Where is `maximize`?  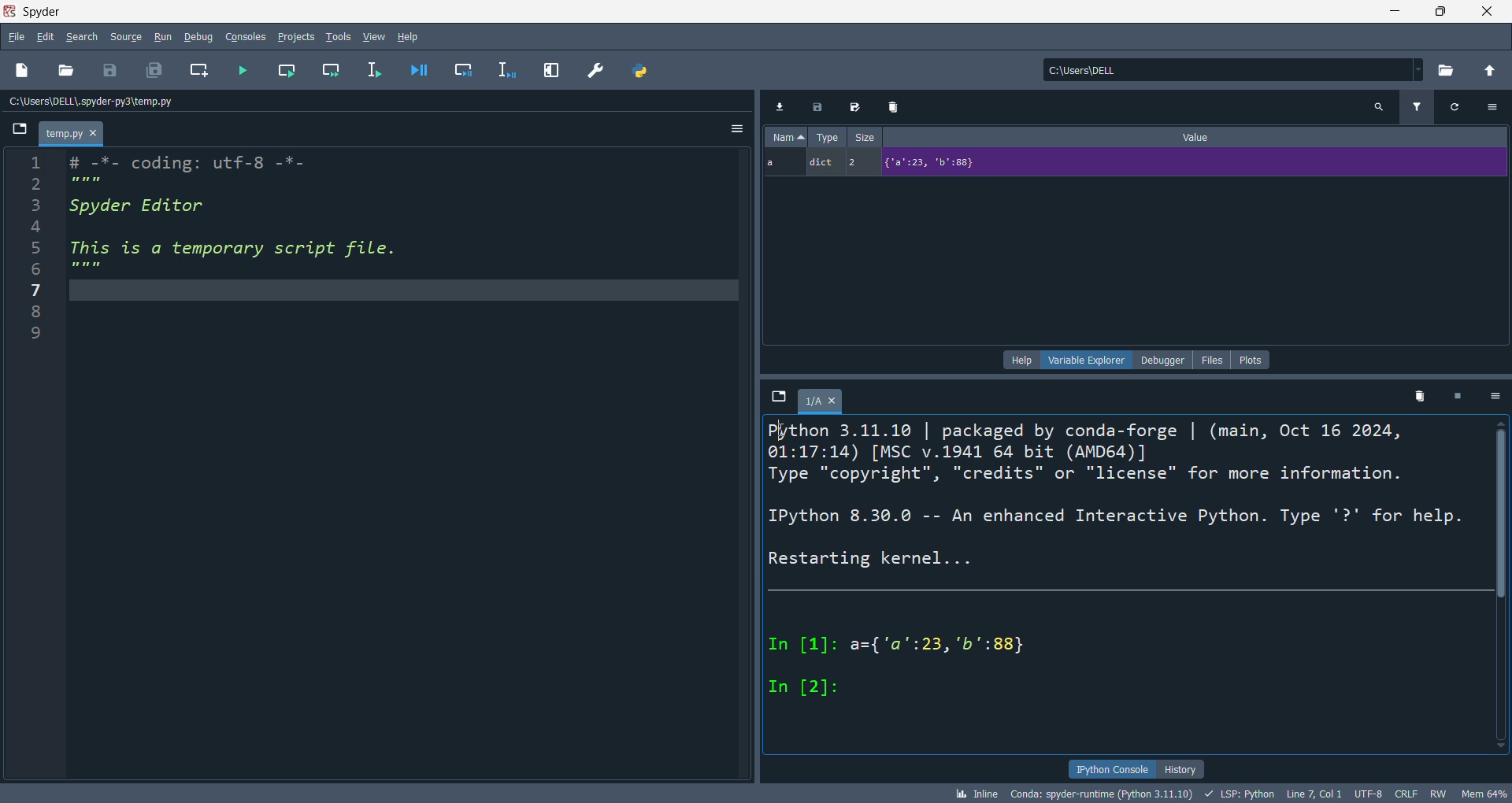 maximize is located at coordinates (1433, 13).